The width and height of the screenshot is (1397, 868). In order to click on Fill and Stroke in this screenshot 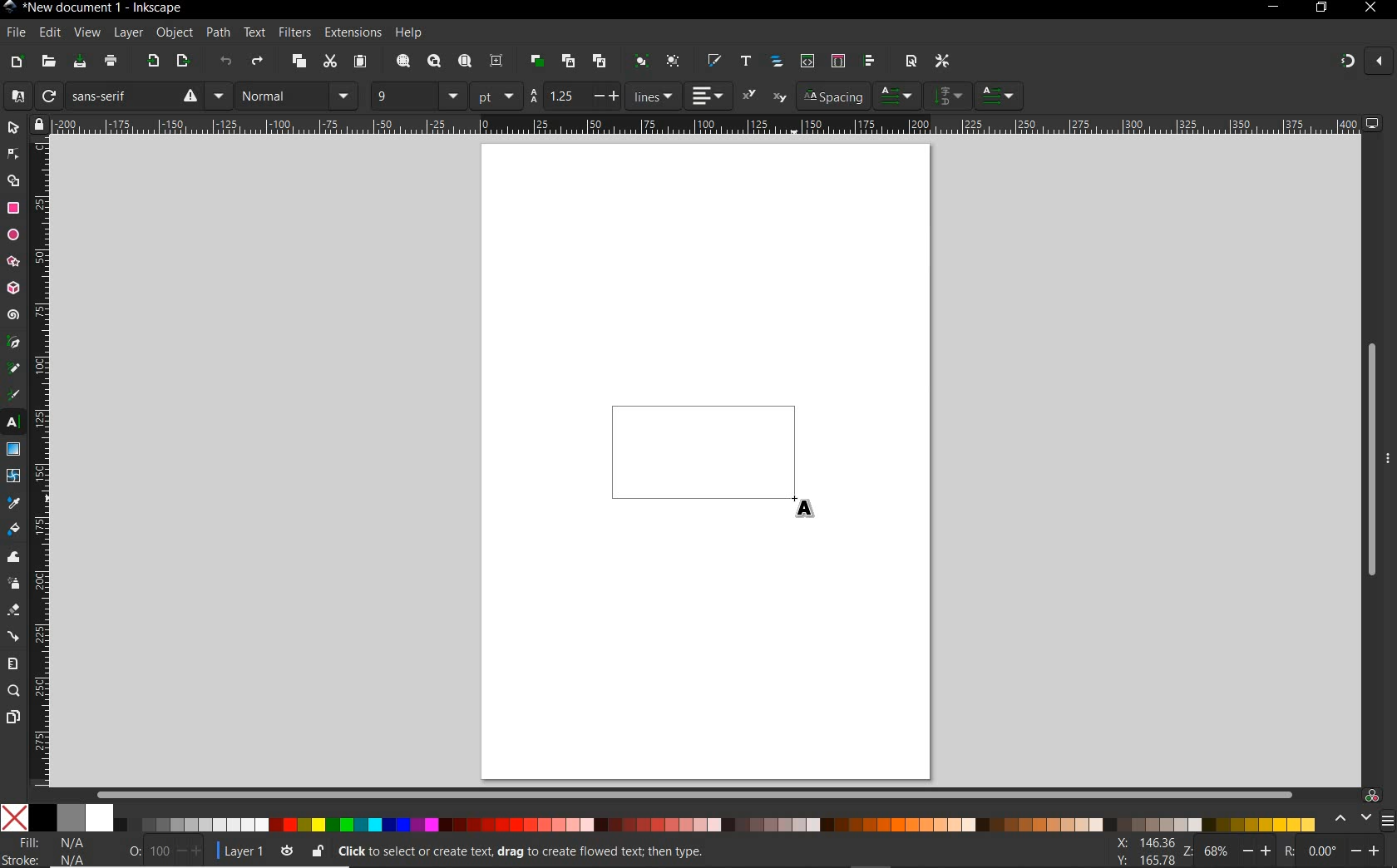, I will do `click(52, 851)`.